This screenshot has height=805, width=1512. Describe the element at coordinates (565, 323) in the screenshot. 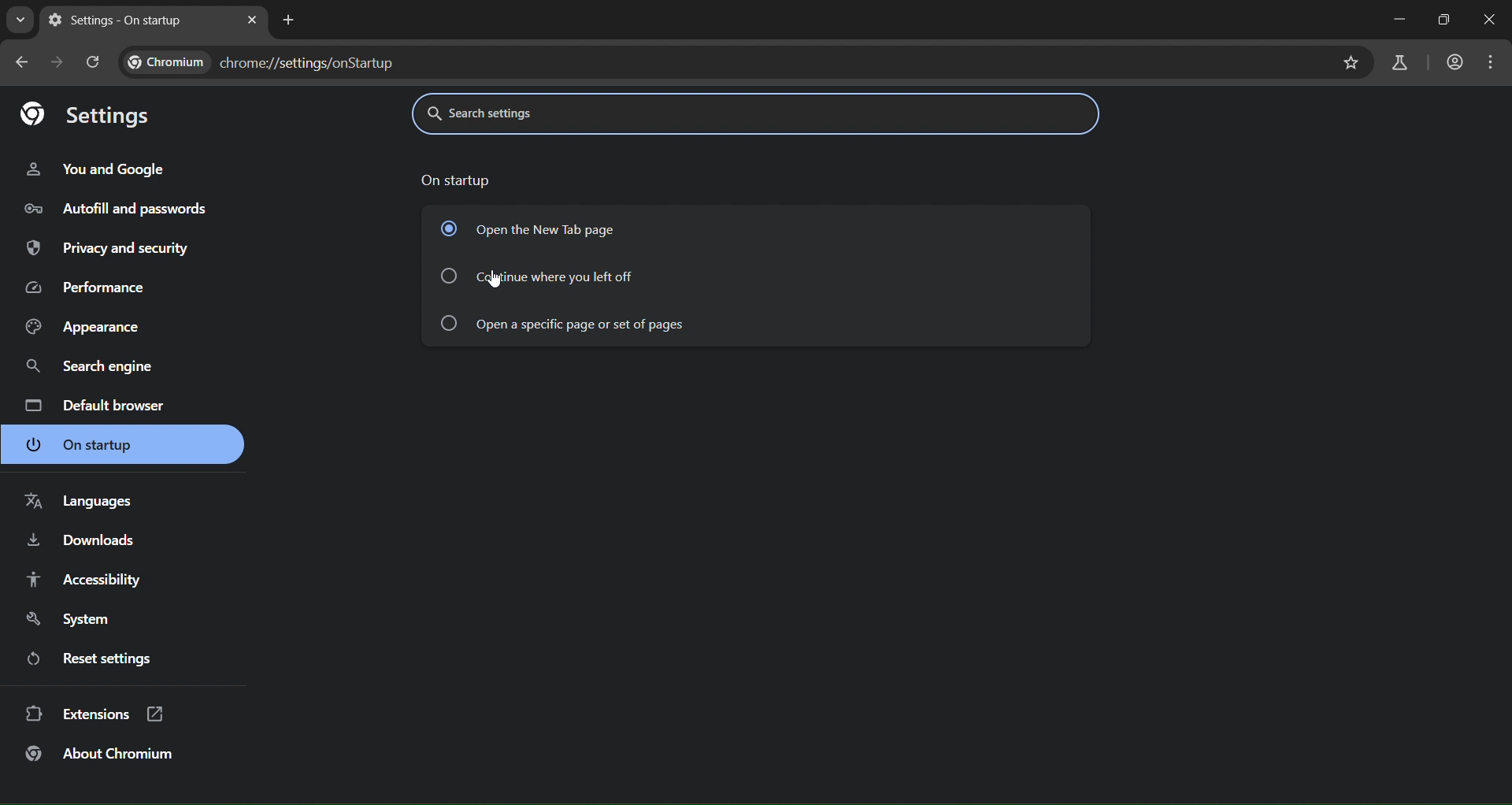

I see `continue where you left off` at that location.